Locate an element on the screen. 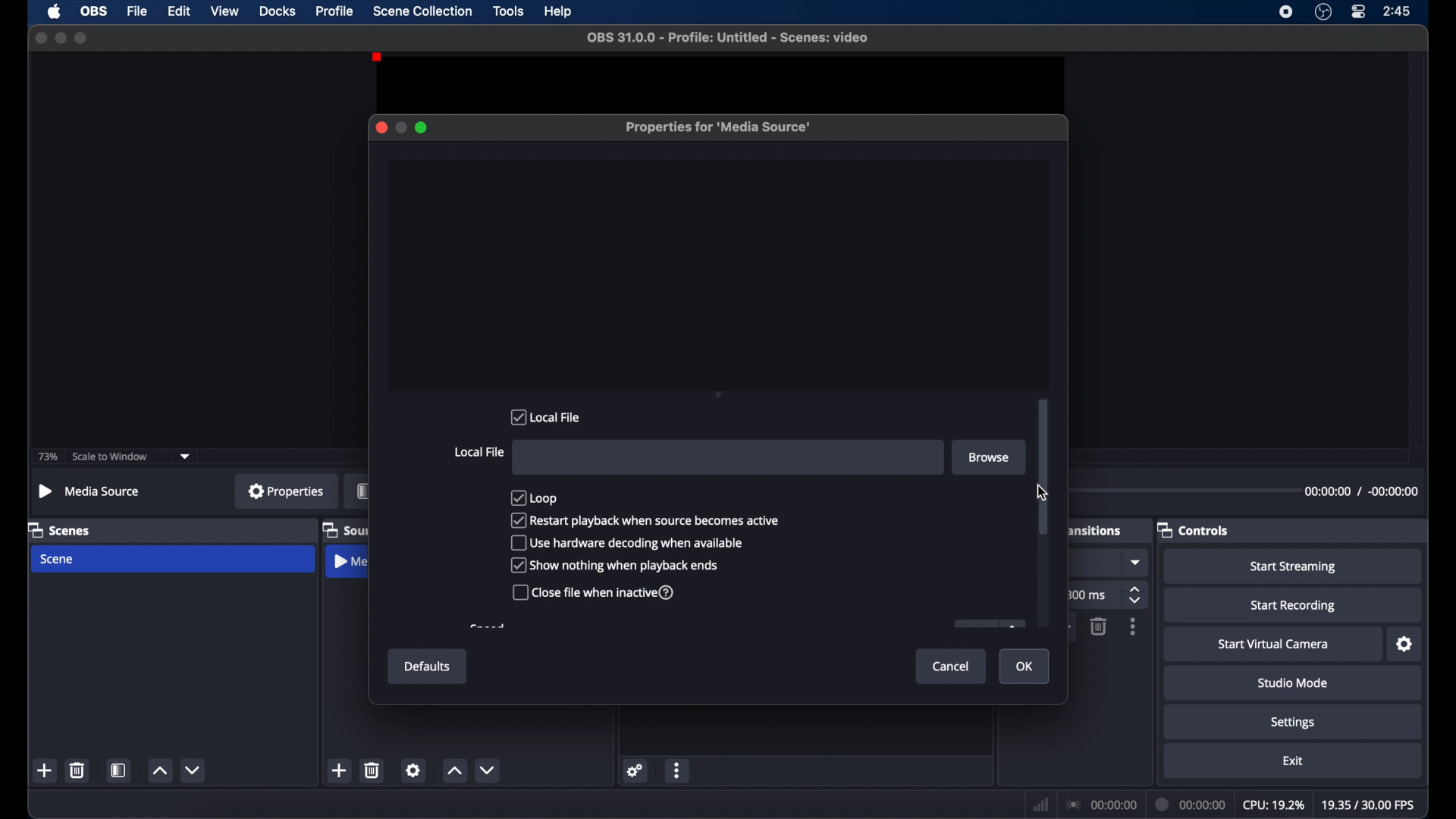  checkbox is located at coordinates (595, 593).